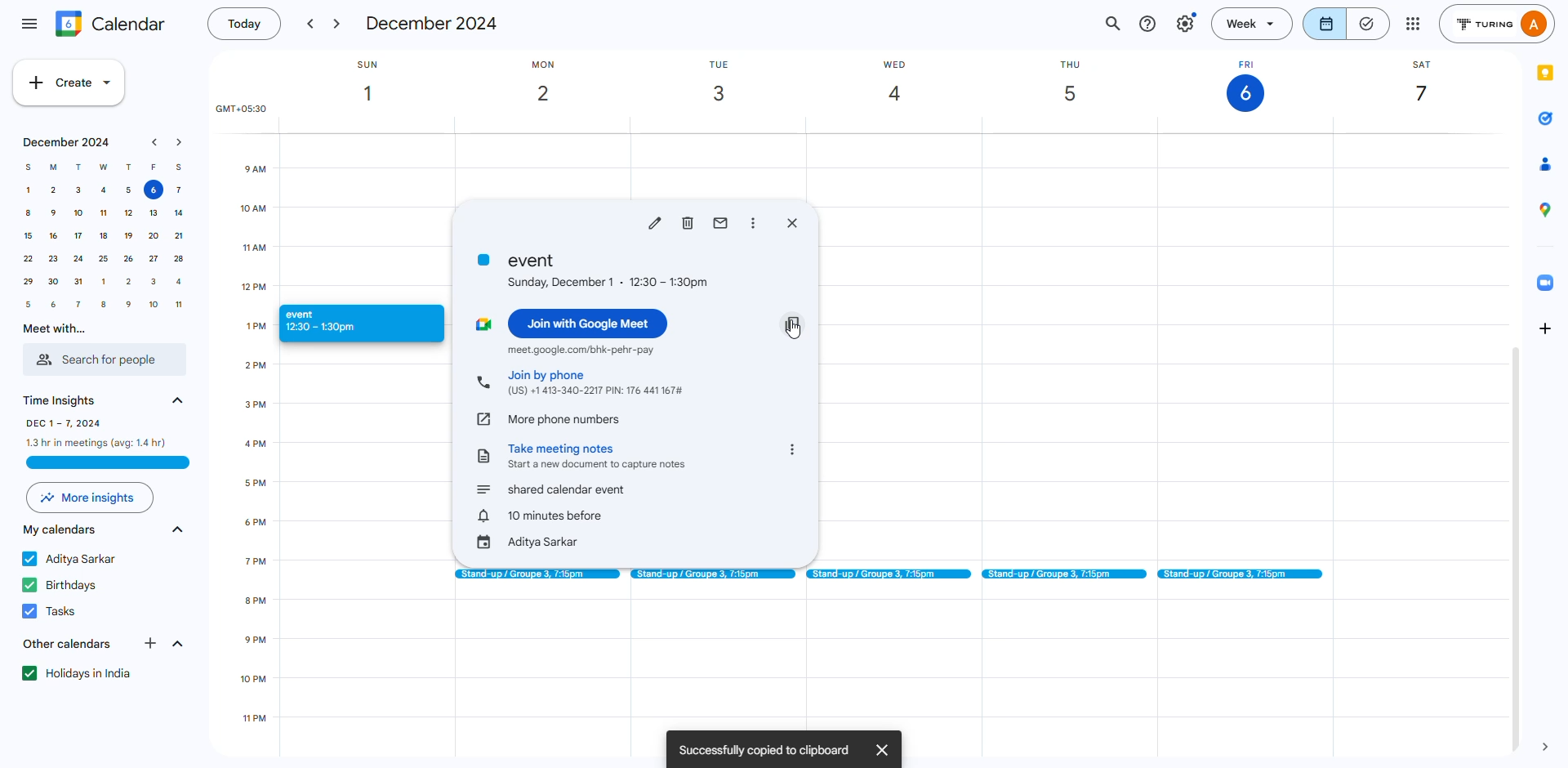 Image resolution: width=1568 pixels, height=768 pixels. I want to click on app, so click(1539, 164).